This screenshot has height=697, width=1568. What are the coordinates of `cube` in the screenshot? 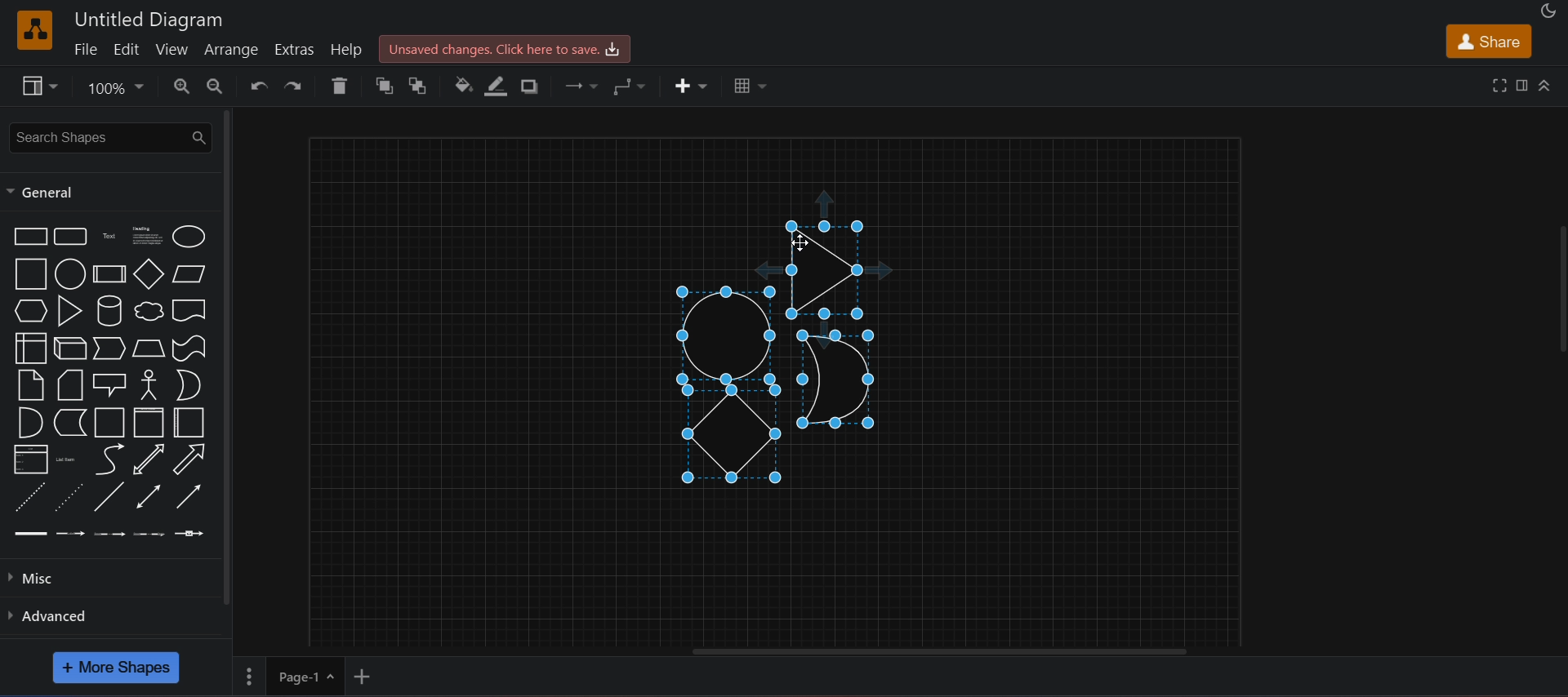 It's located at (68, 348).